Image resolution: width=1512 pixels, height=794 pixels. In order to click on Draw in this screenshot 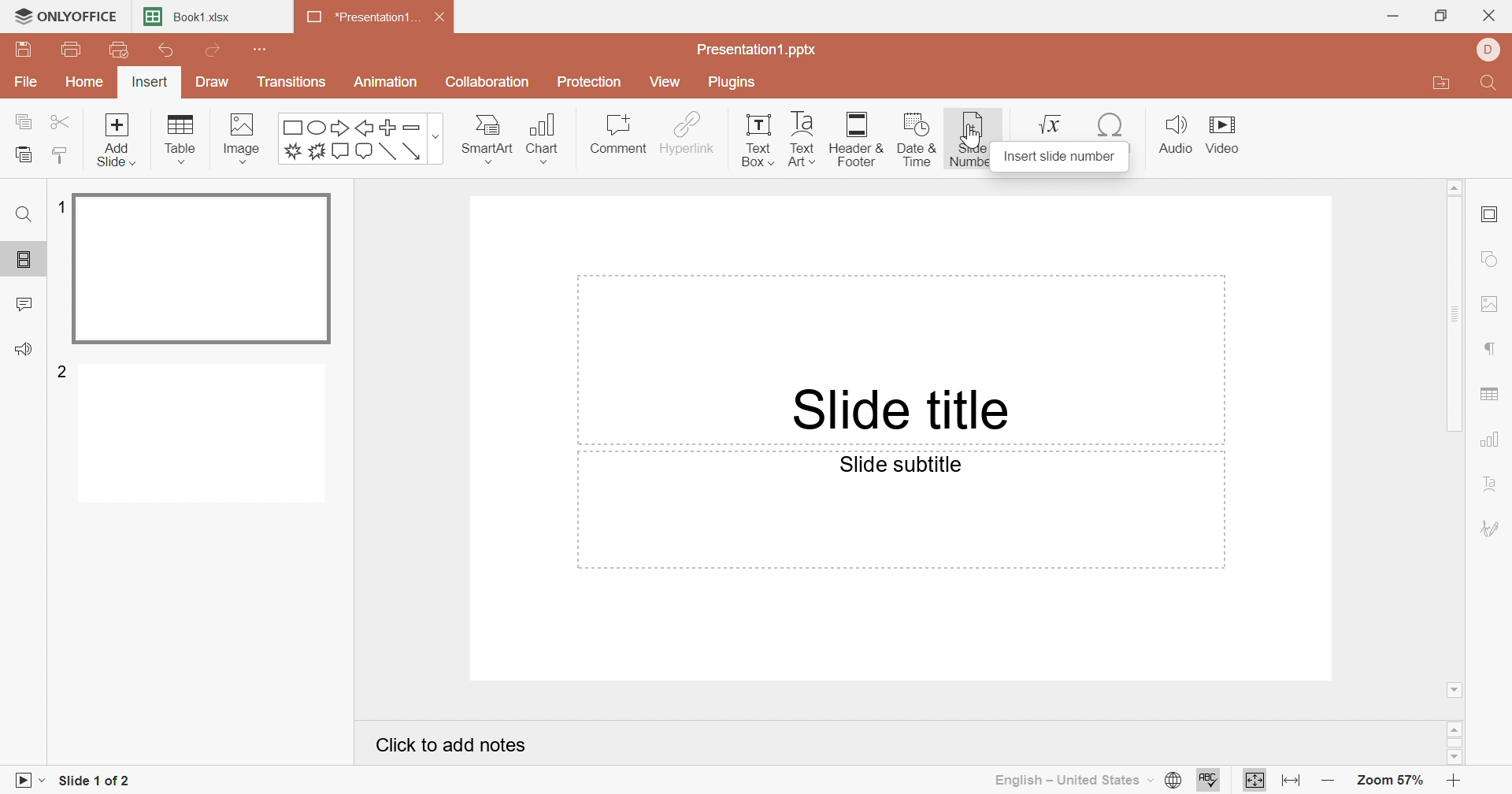, I will do `click(209, 82)`.